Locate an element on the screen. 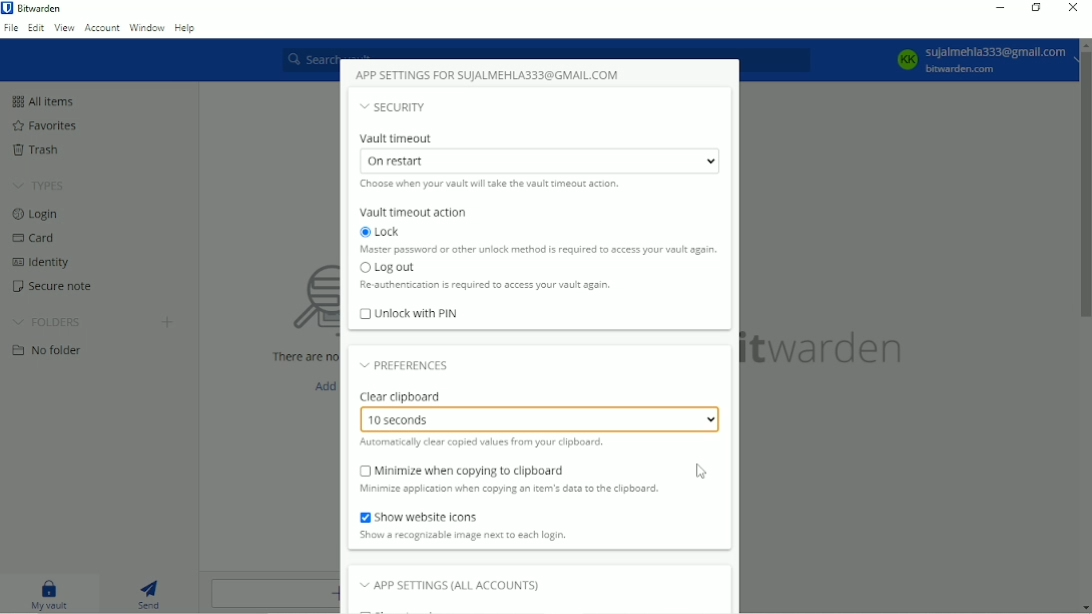 Image resolution: width=1092 pixels, height=614 pixels. 10 seconds is located at coordinates (543, 418).